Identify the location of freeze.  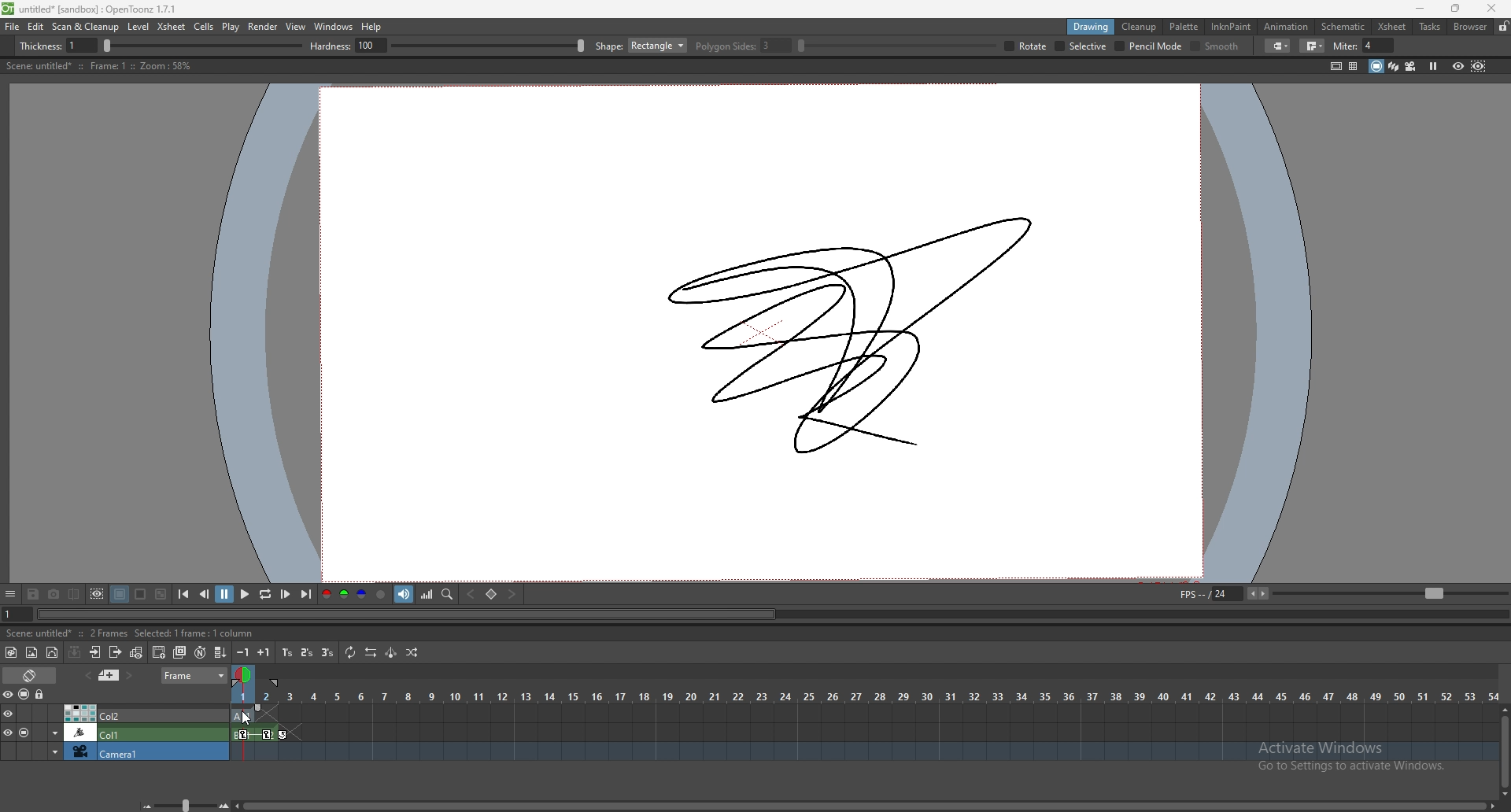
(1433, 65).